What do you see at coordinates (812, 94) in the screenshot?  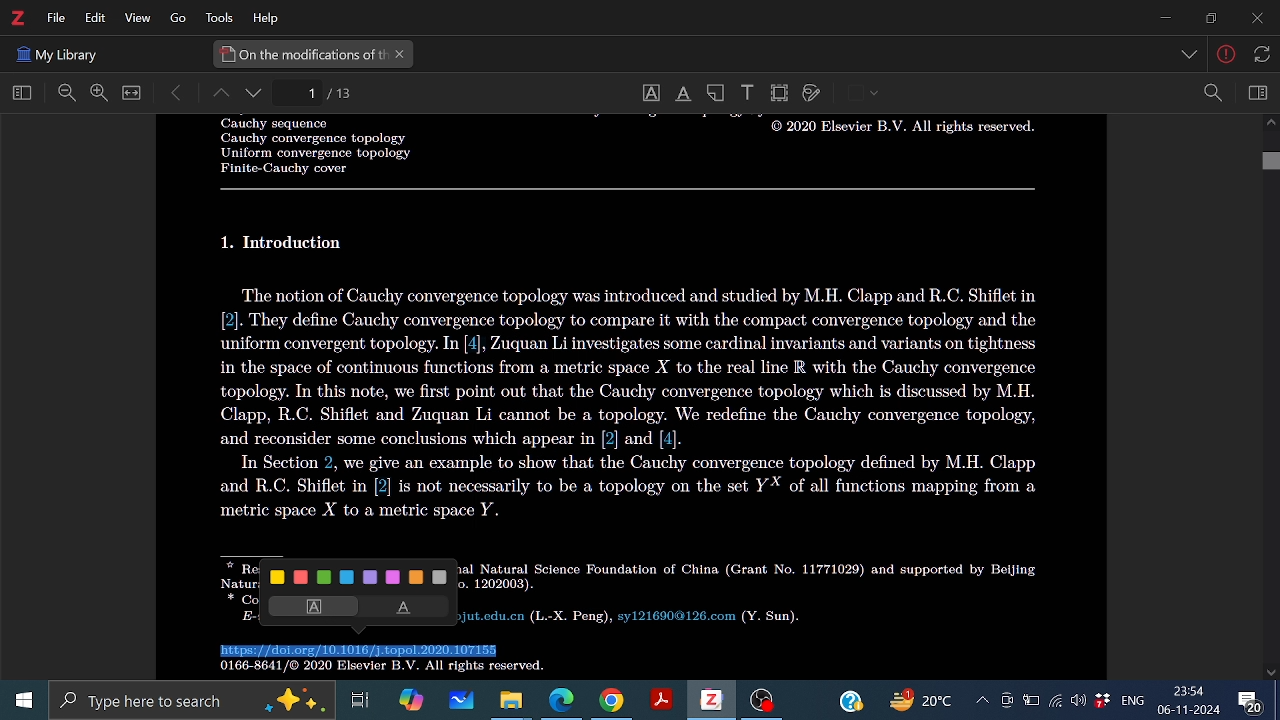 I see `Draw on page` at bounding box center [812, 94].